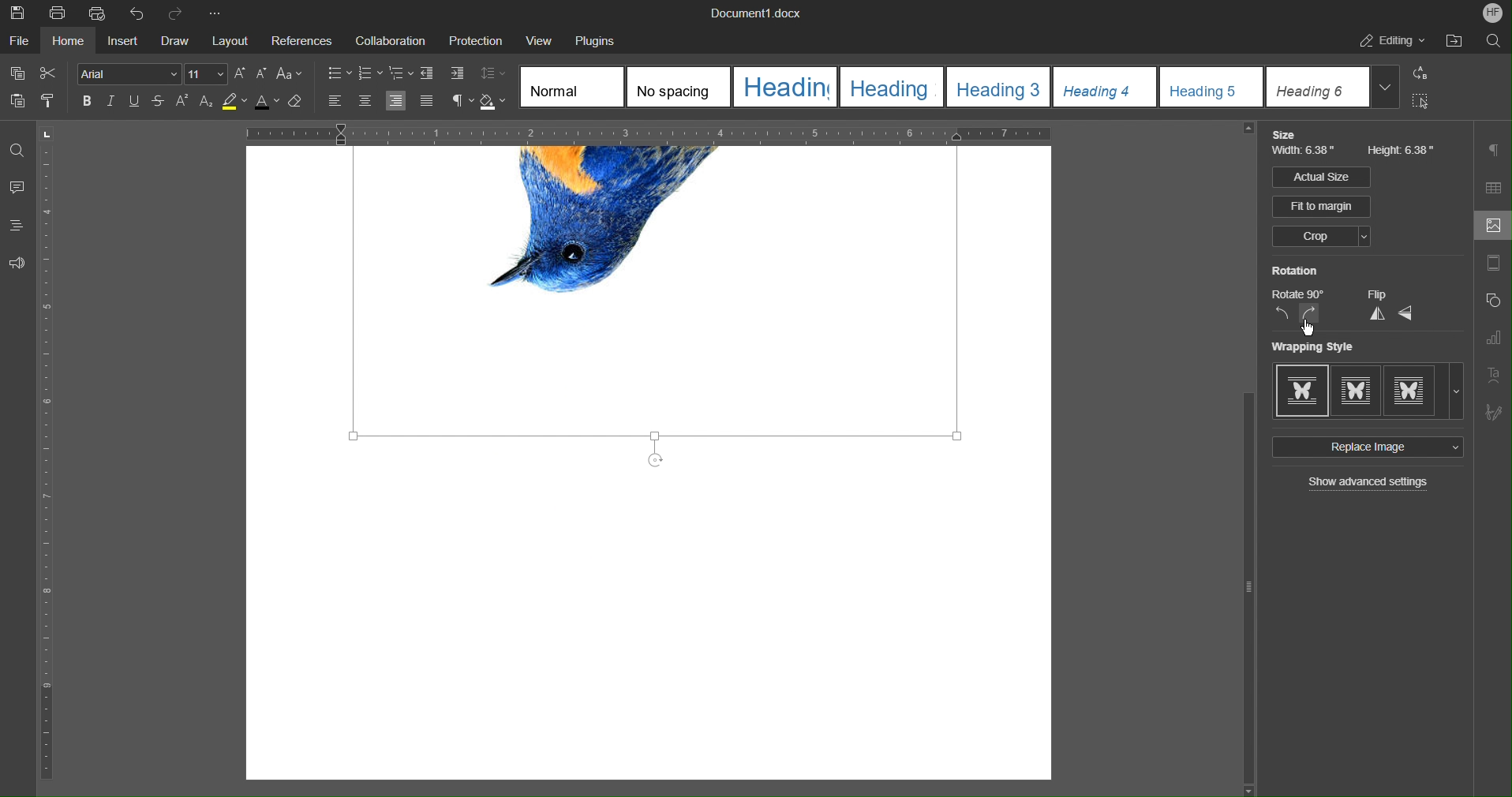 Image resolution: width=1512 pixels, height=797 pixels. Describe the element at coordinates (427, 74) in the screenshot. I see `Decrease Indent` at that location.